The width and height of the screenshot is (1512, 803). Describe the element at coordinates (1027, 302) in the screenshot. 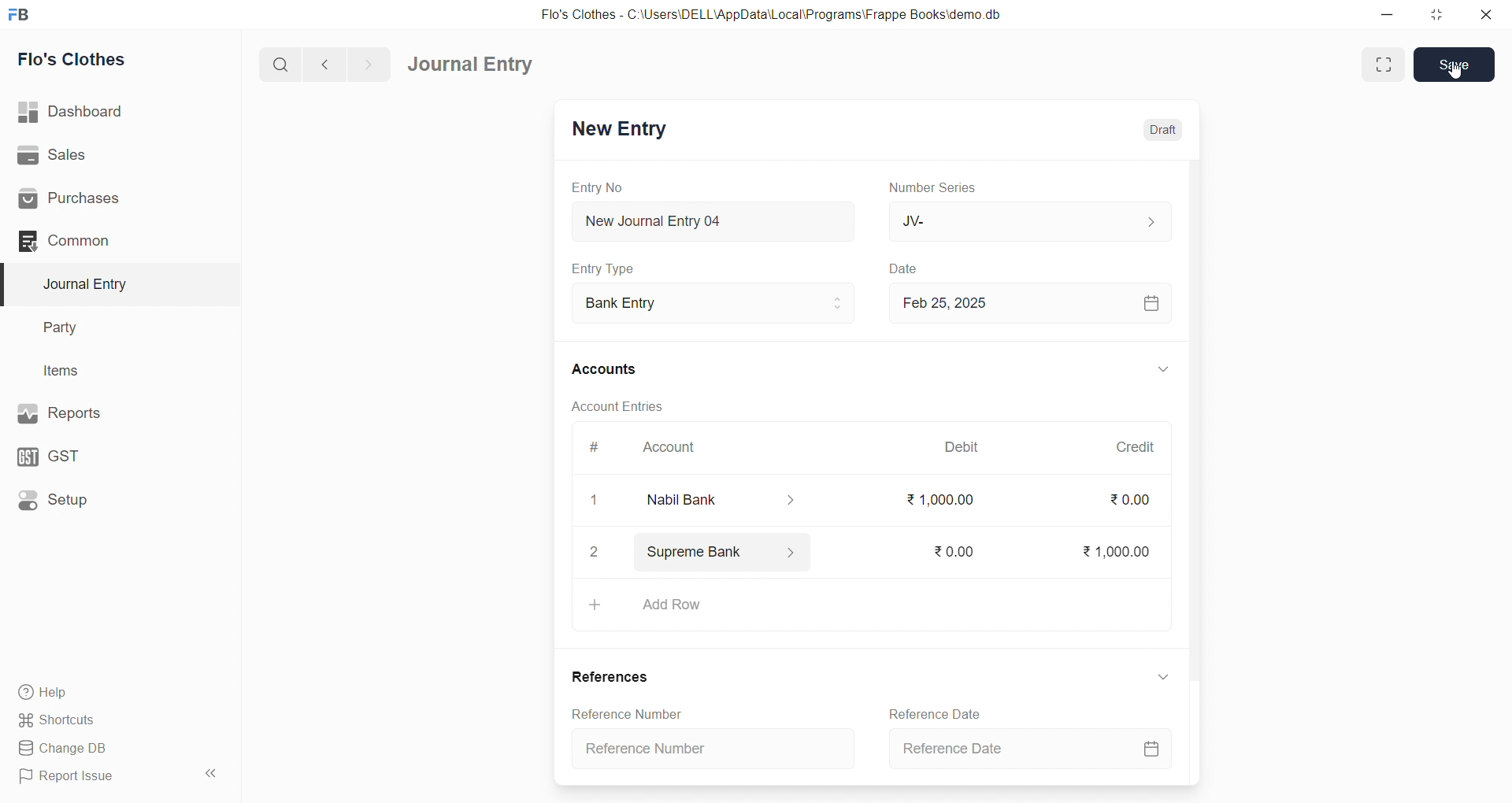

I see `Feb 25, 2025` at that location.